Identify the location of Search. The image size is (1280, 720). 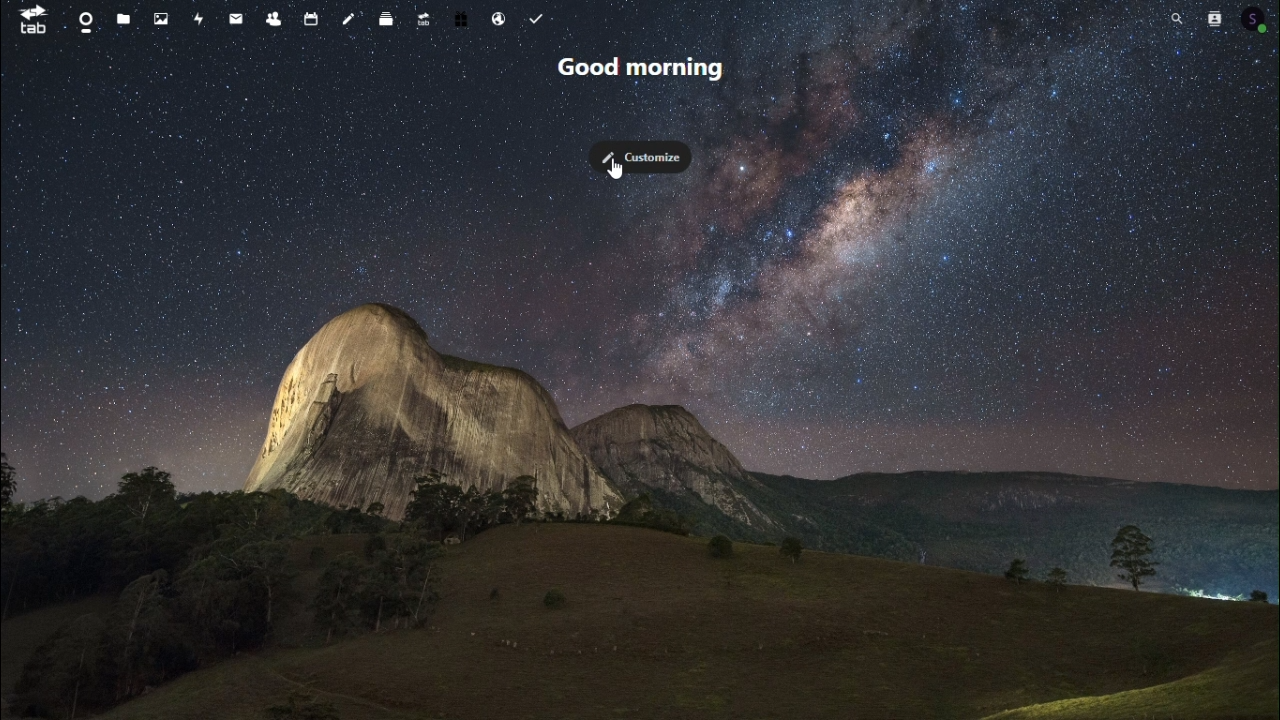
(1175, 15).